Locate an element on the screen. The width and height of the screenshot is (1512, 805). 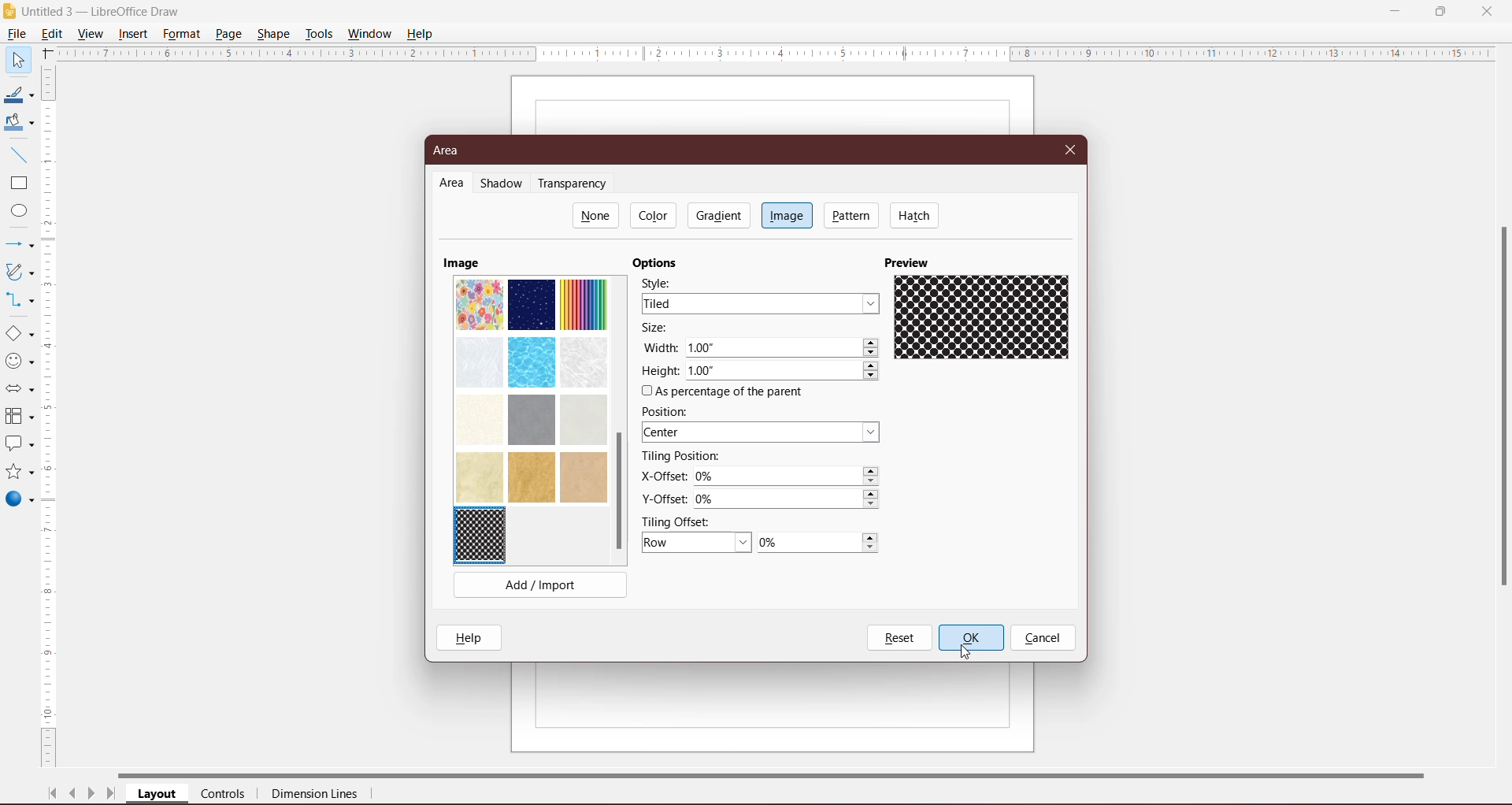
File is located at coordinates (16, 34).